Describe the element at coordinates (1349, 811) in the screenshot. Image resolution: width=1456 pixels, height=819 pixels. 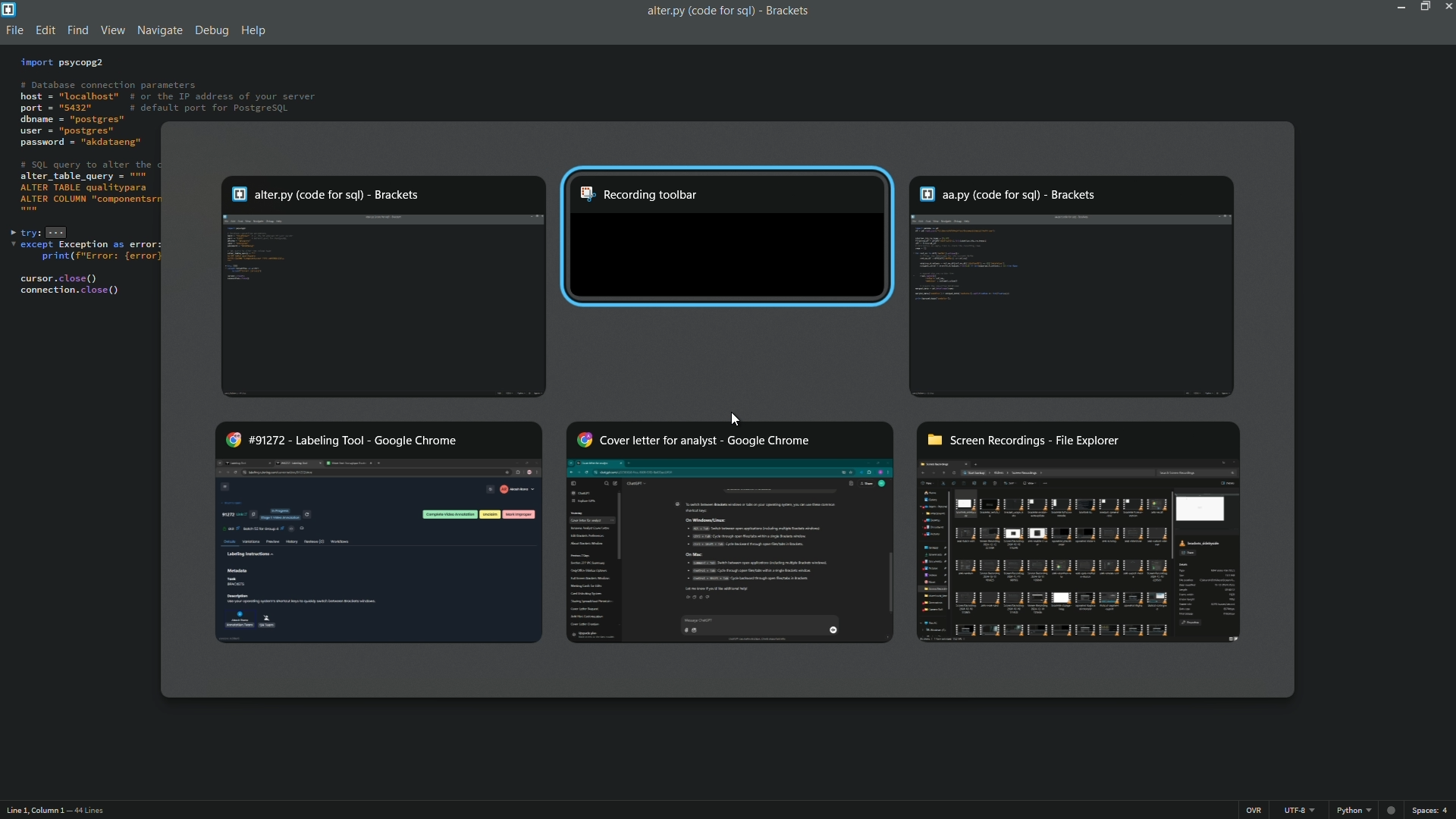
I see `python` at that location.